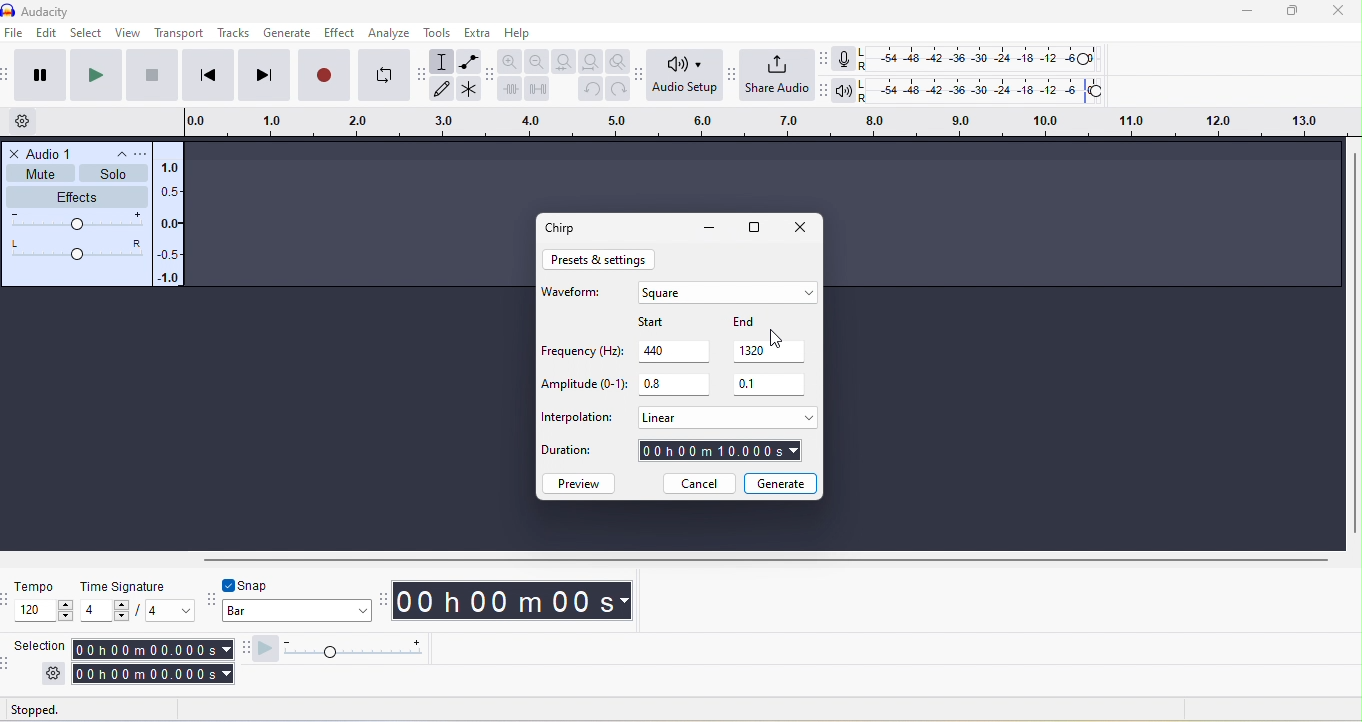 This screenshot has height=722, width=1362. I want to click on 1320, so click(770, 351).